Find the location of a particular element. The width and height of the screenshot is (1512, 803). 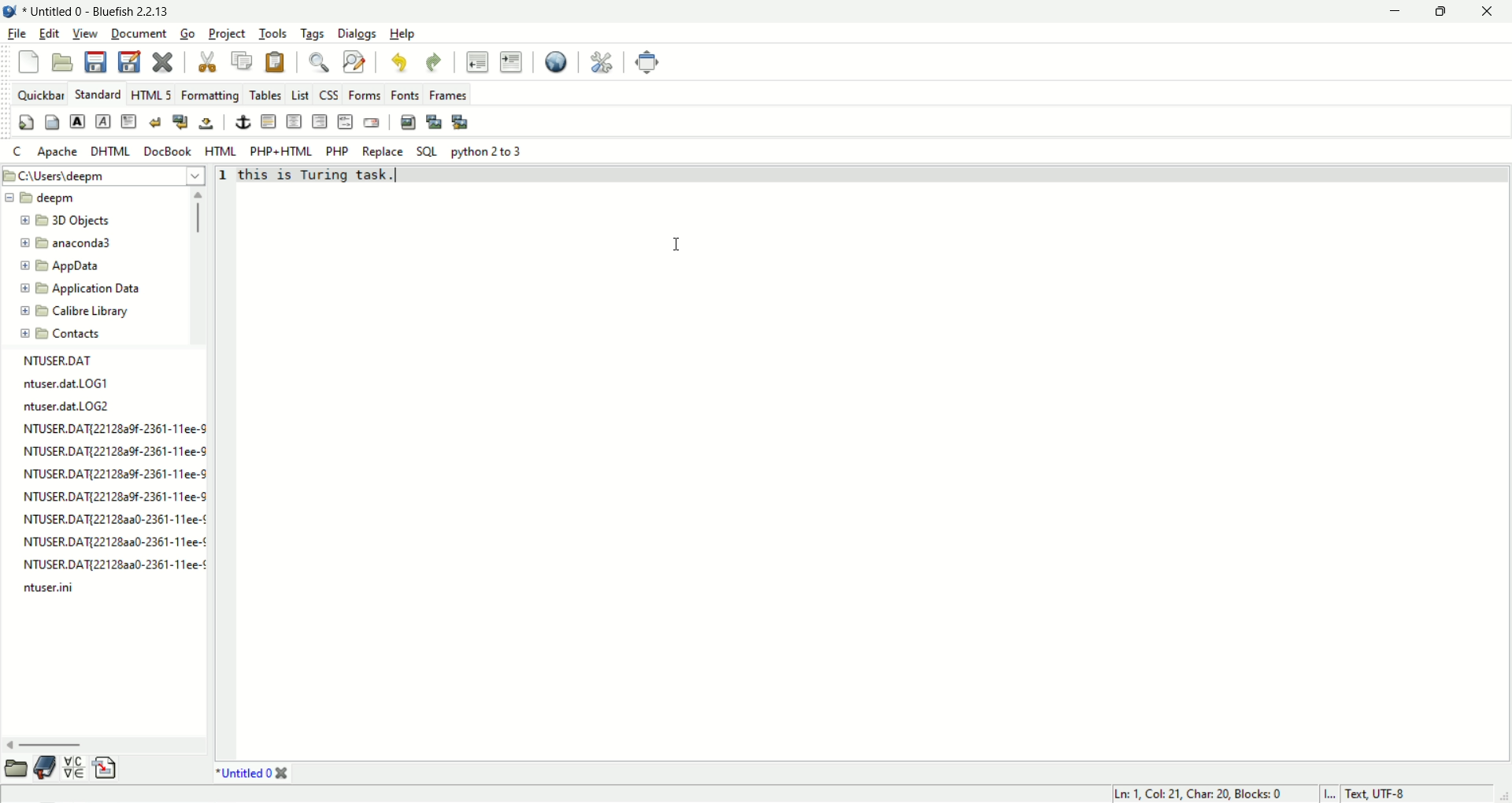

DHTML is located at coordinates (109, 151).